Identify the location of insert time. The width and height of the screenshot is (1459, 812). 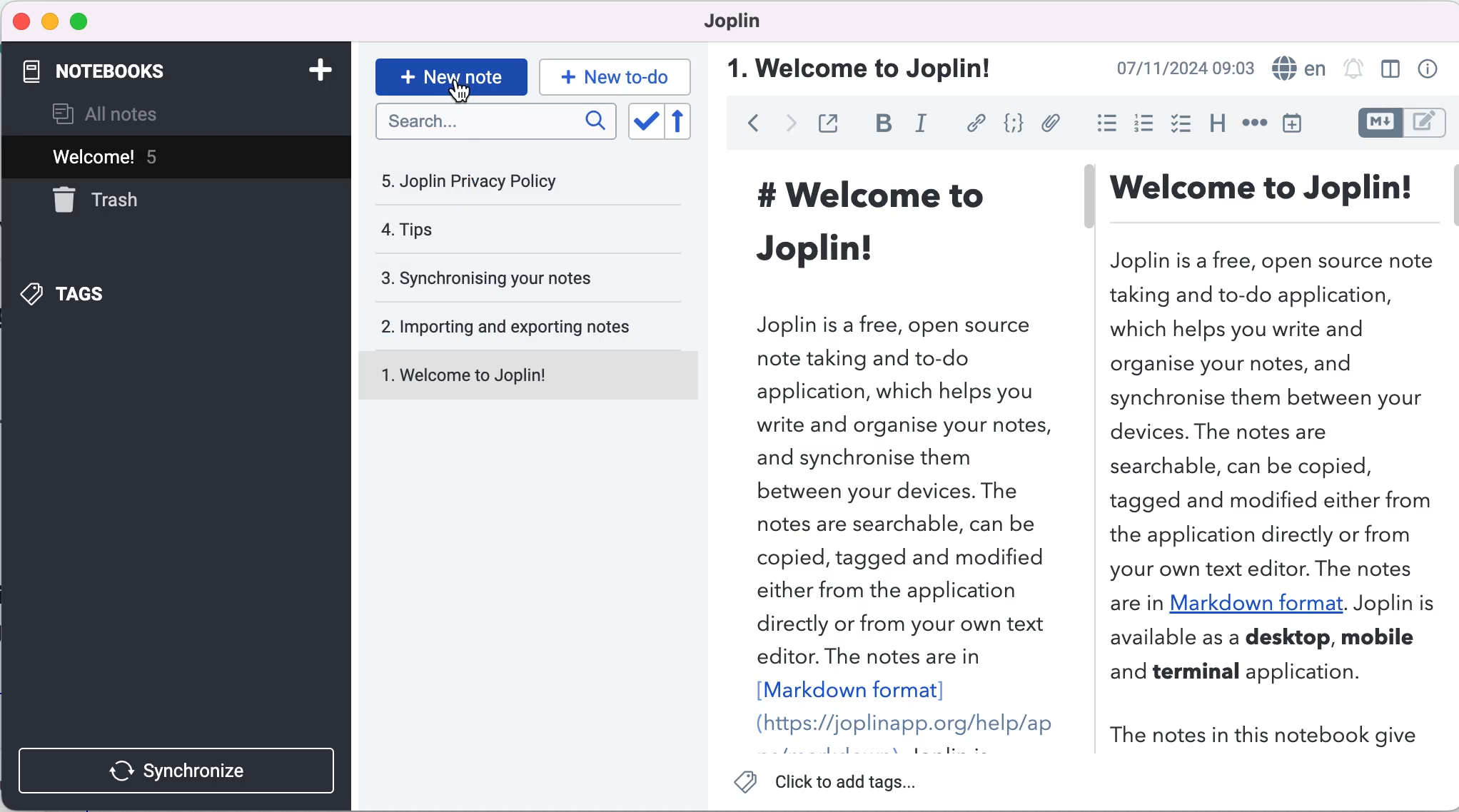
(1297, 126).